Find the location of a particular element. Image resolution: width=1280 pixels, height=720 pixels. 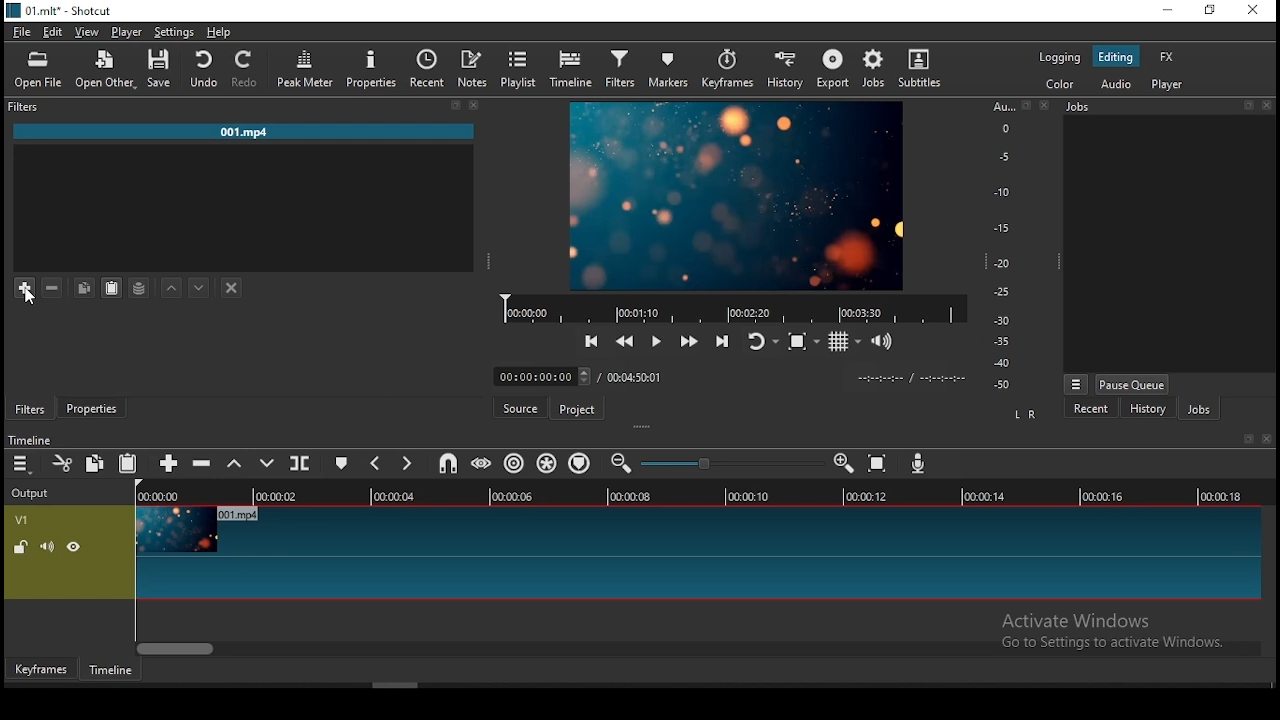

history is located at coordinates (787, 69).